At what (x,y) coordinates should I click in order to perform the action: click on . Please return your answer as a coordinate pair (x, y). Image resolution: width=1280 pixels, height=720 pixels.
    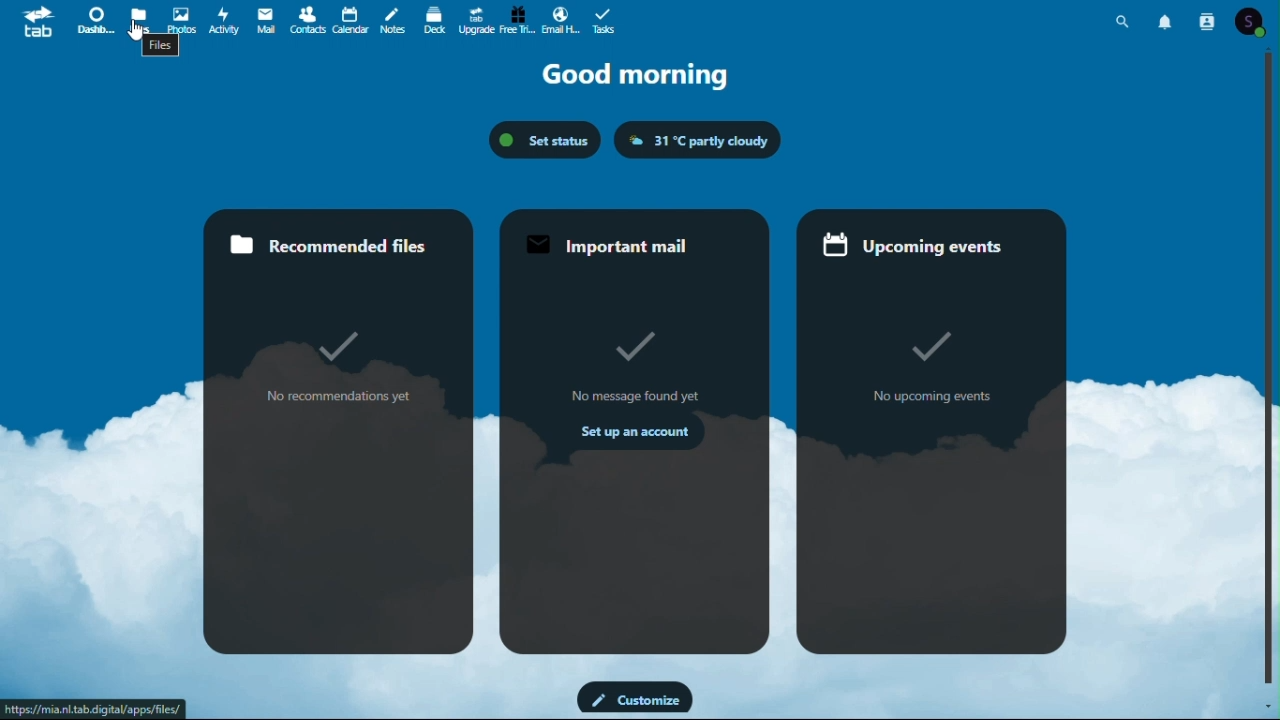
    Looking at the image, I should click on (640, 346).